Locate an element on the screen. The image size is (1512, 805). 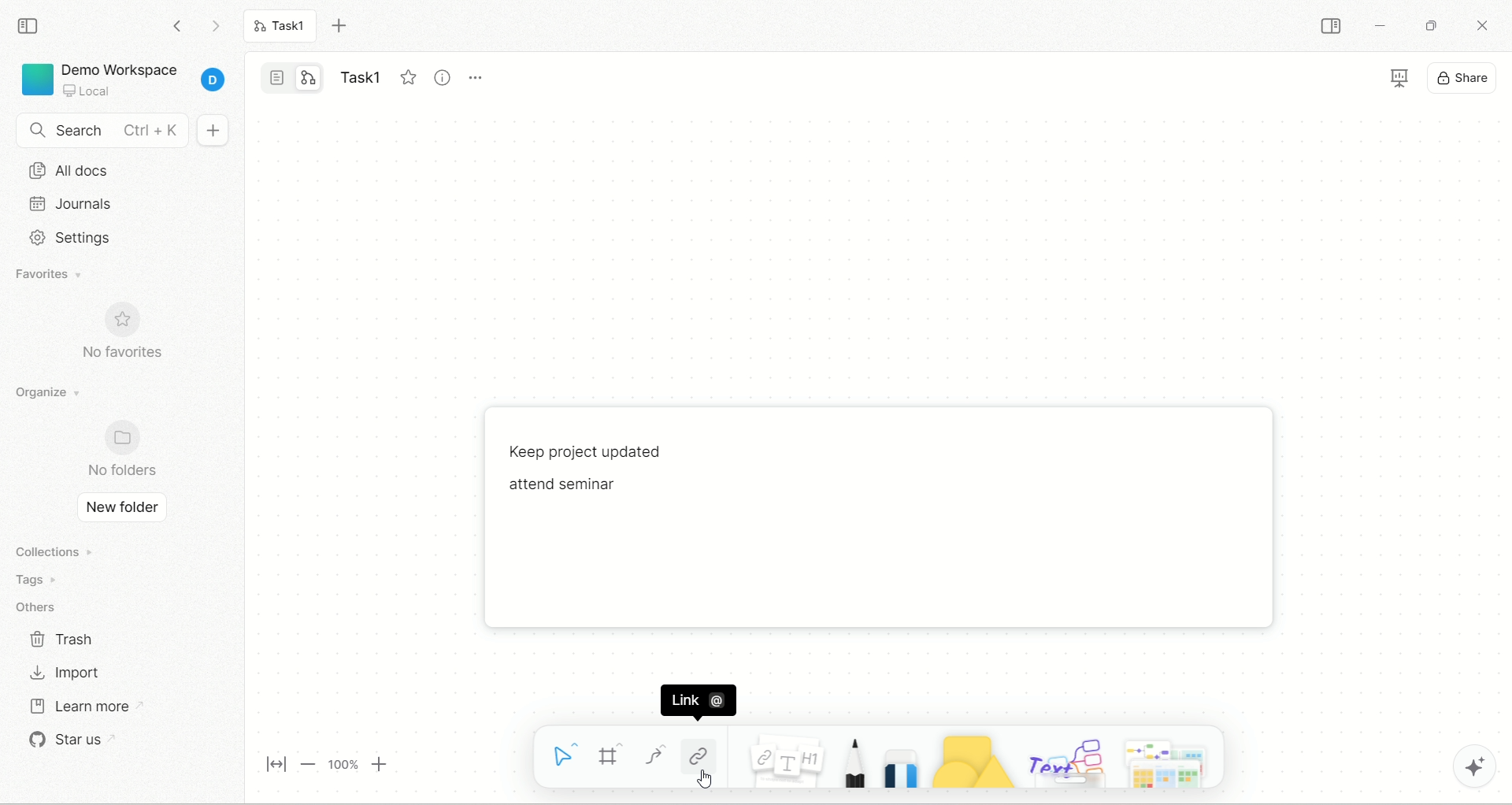
favorites is located at coordinates (62, 276).